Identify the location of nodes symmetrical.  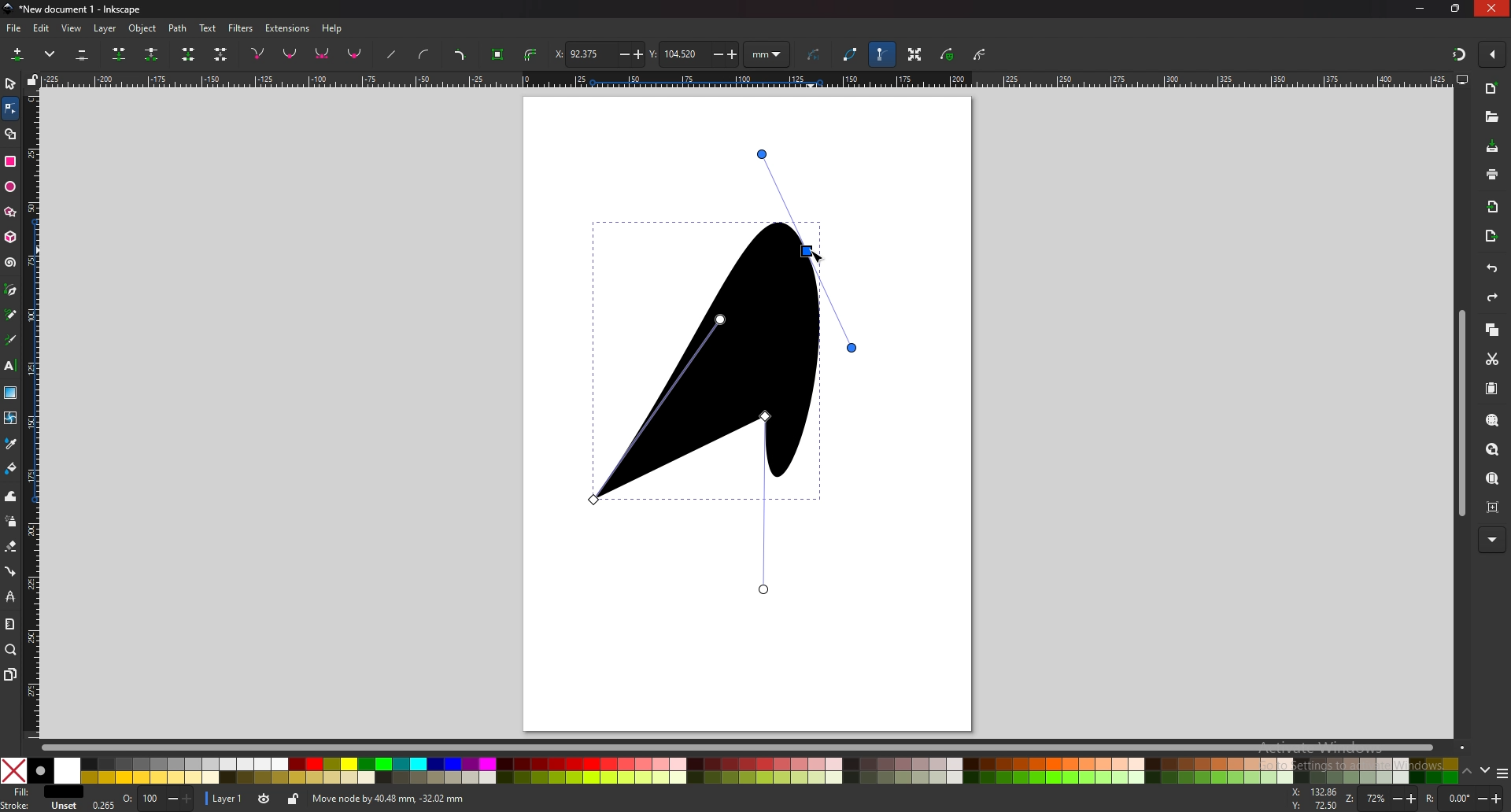
(323, 54).